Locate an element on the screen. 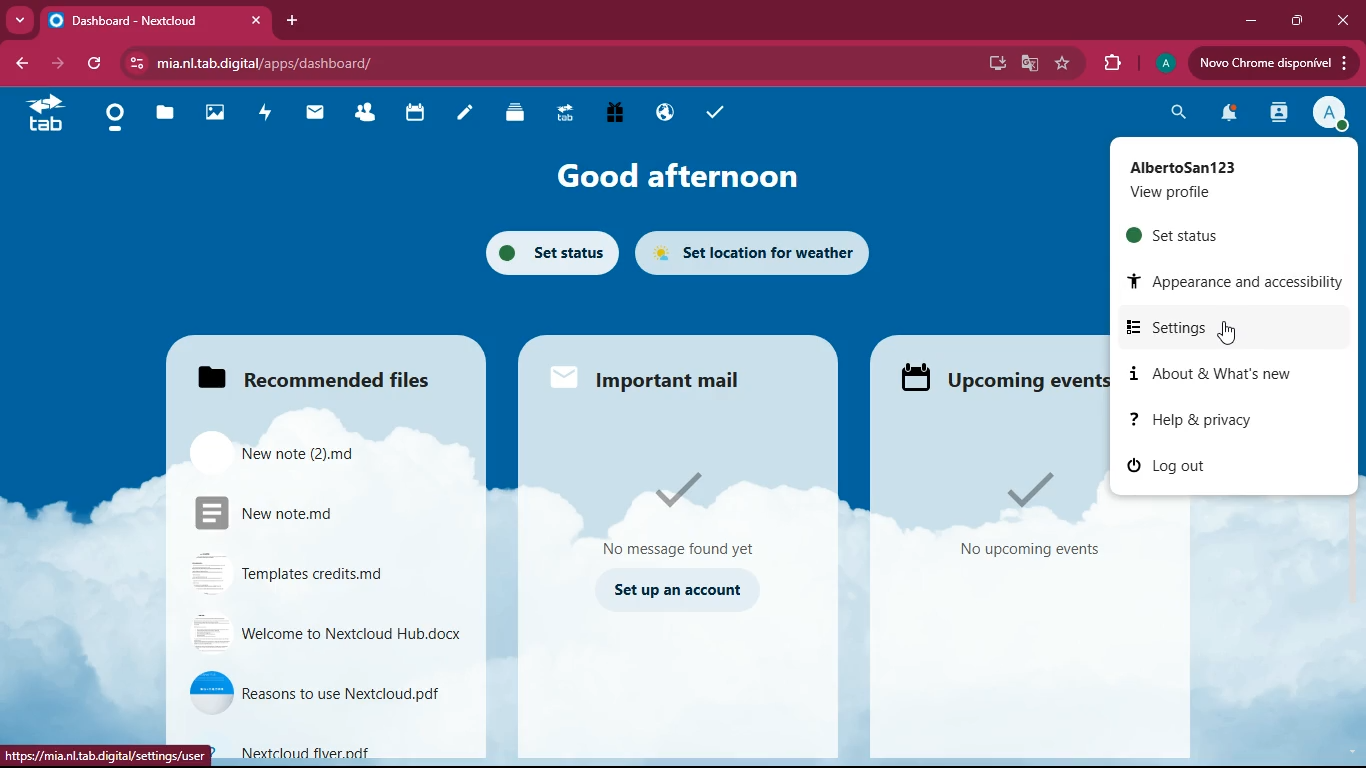  notes is located at coordinates (464, 115).